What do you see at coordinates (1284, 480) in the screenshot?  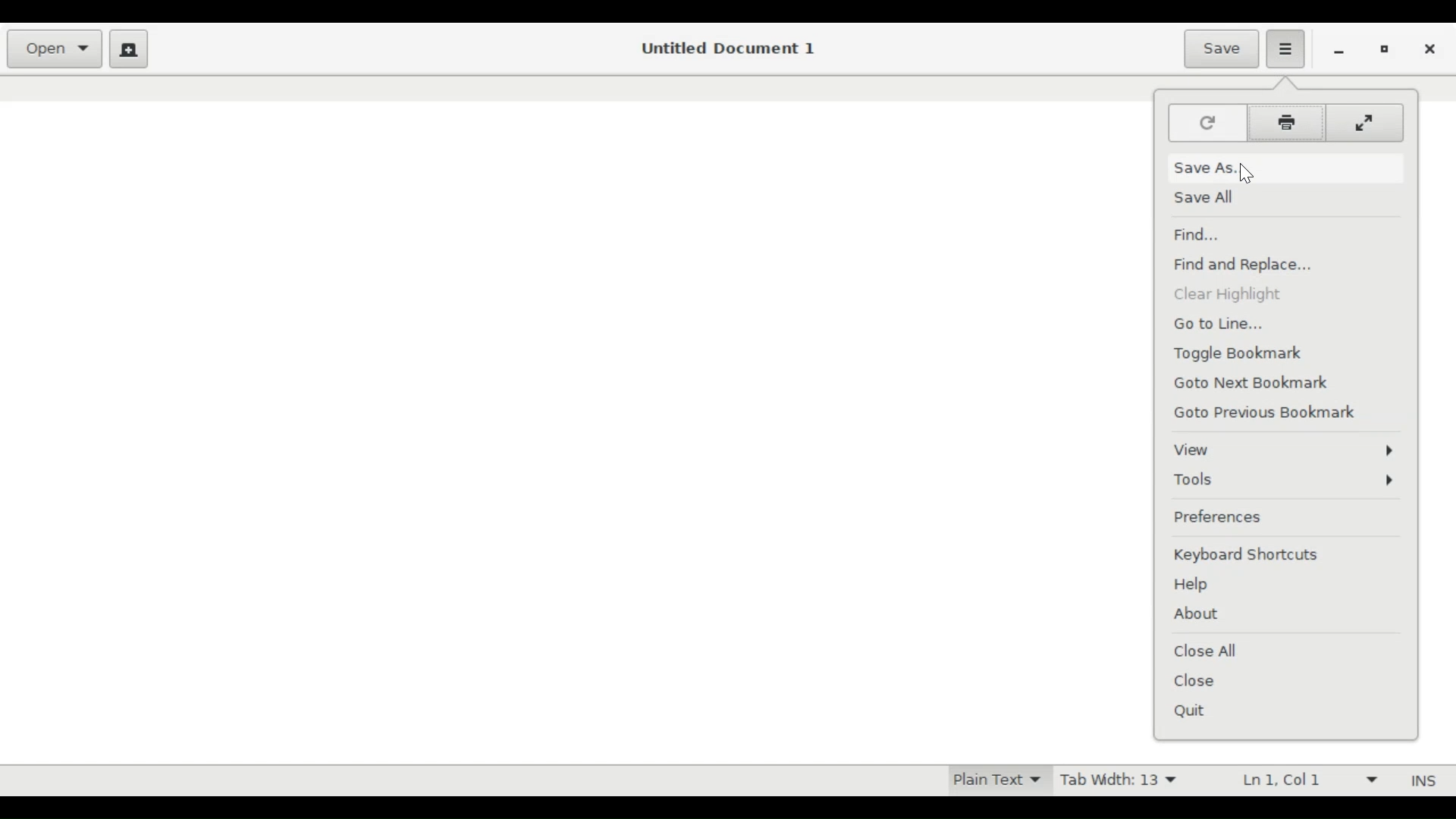 I see `Tools` at bounding box center [1284, 480].